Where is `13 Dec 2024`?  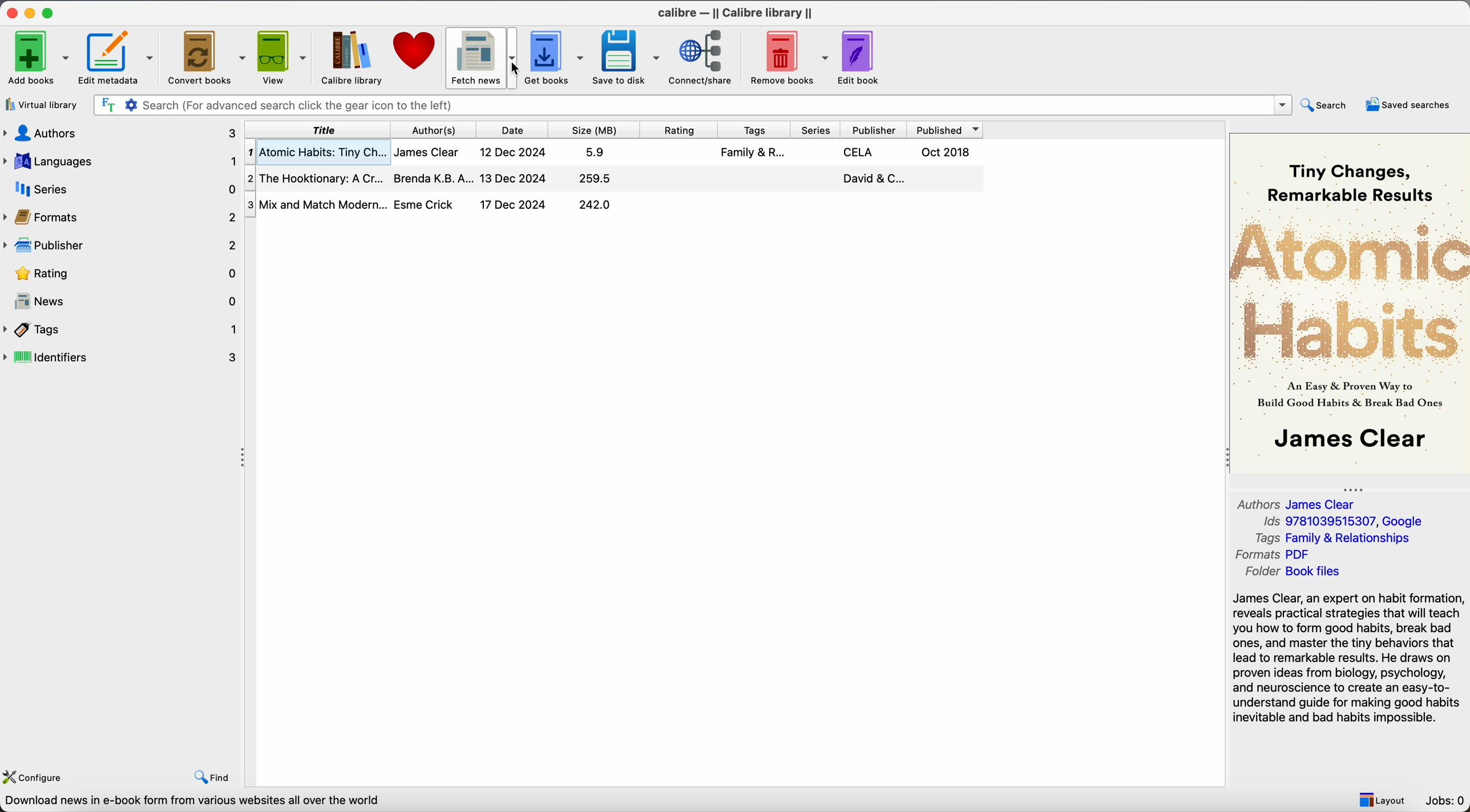 13 Dec 2024 is located at coordinates (513, 178).